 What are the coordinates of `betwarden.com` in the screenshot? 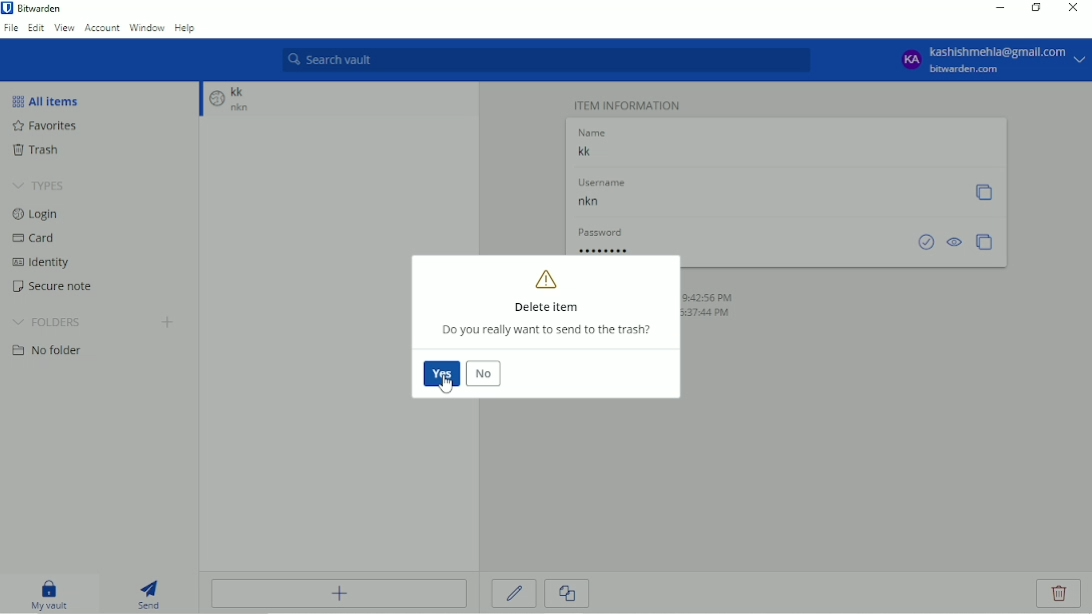 It's located at (967, 70).